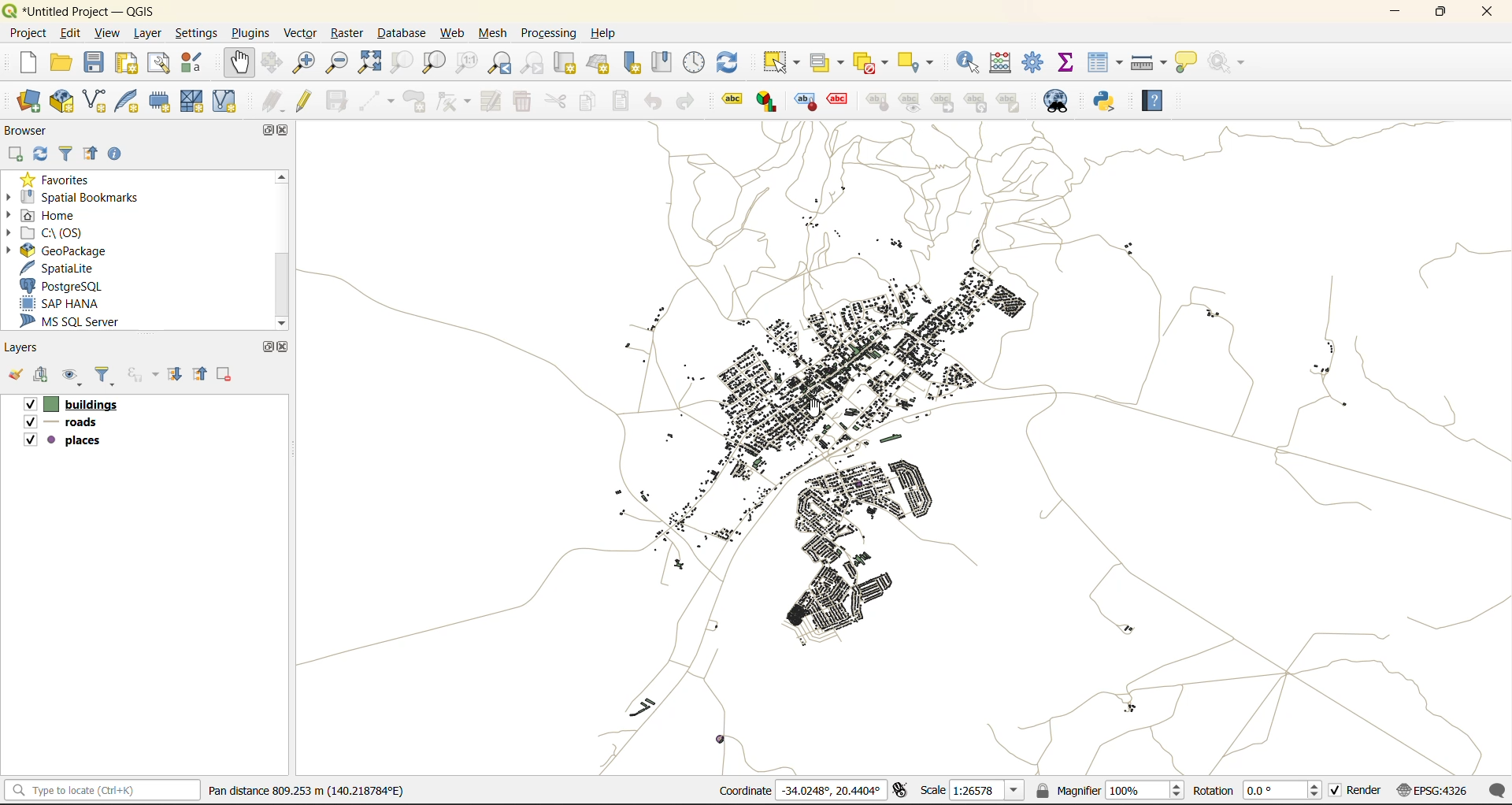 Image resolution: width=1512 pixels, height=805 pixels. Describe the element at coordinates (74, 377) in the screenshot. I see `manage map` at that location.